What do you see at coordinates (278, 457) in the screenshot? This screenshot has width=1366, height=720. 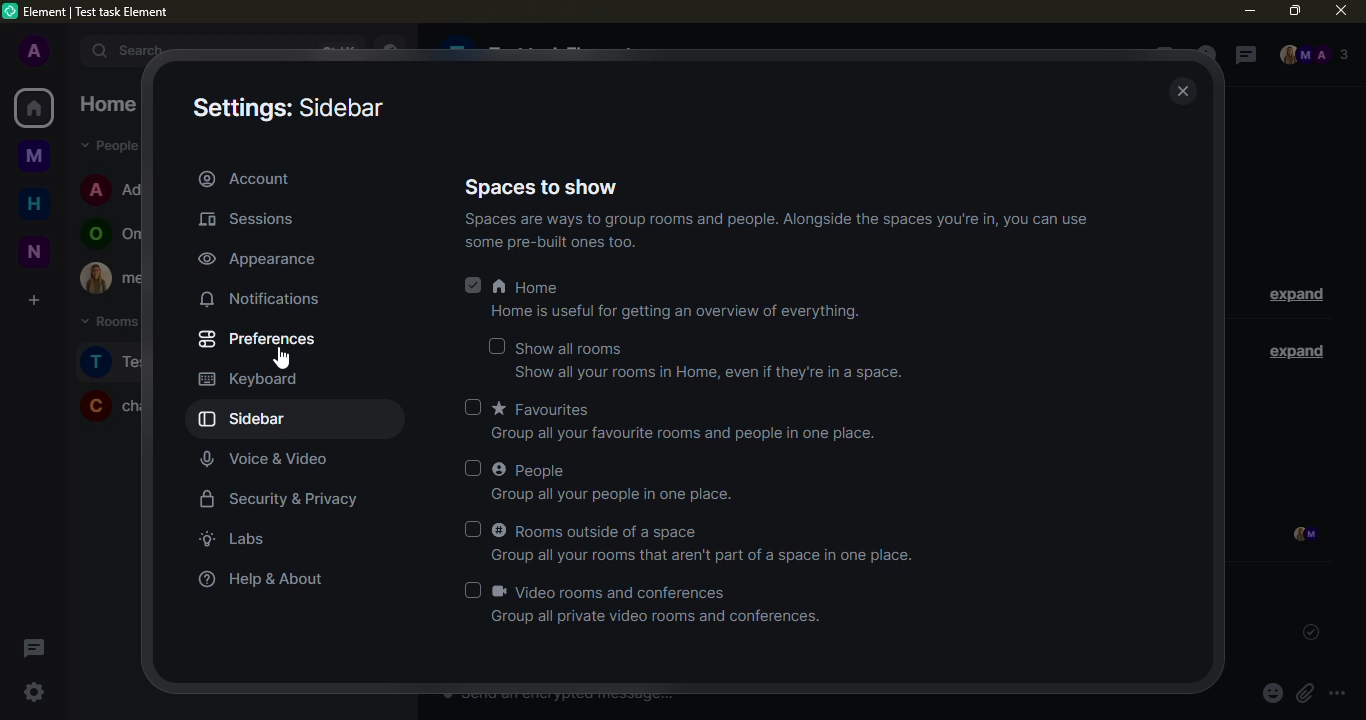 I see `voice video` at bounding box center [278, 457].